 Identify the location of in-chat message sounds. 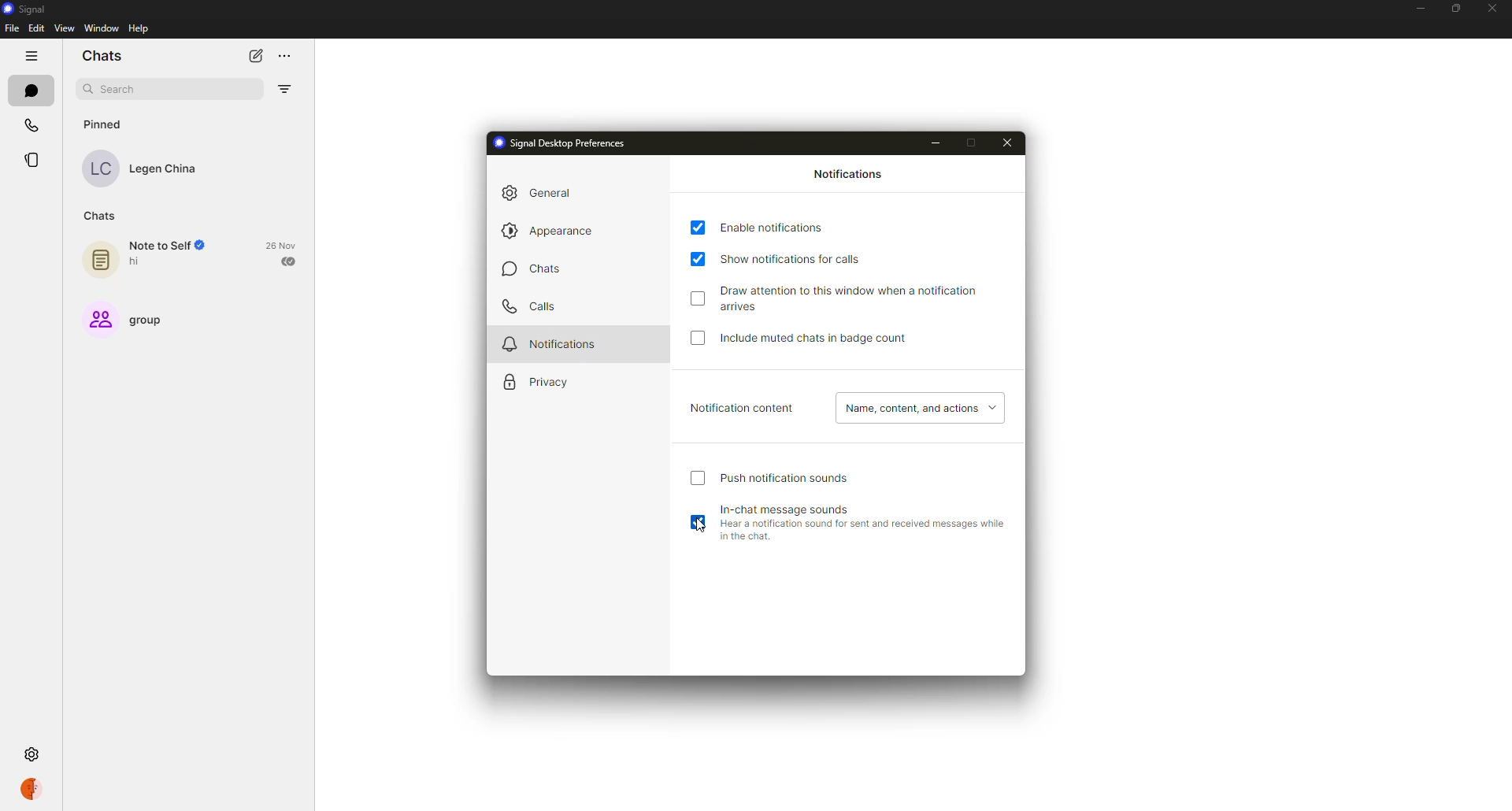
(861, 520).